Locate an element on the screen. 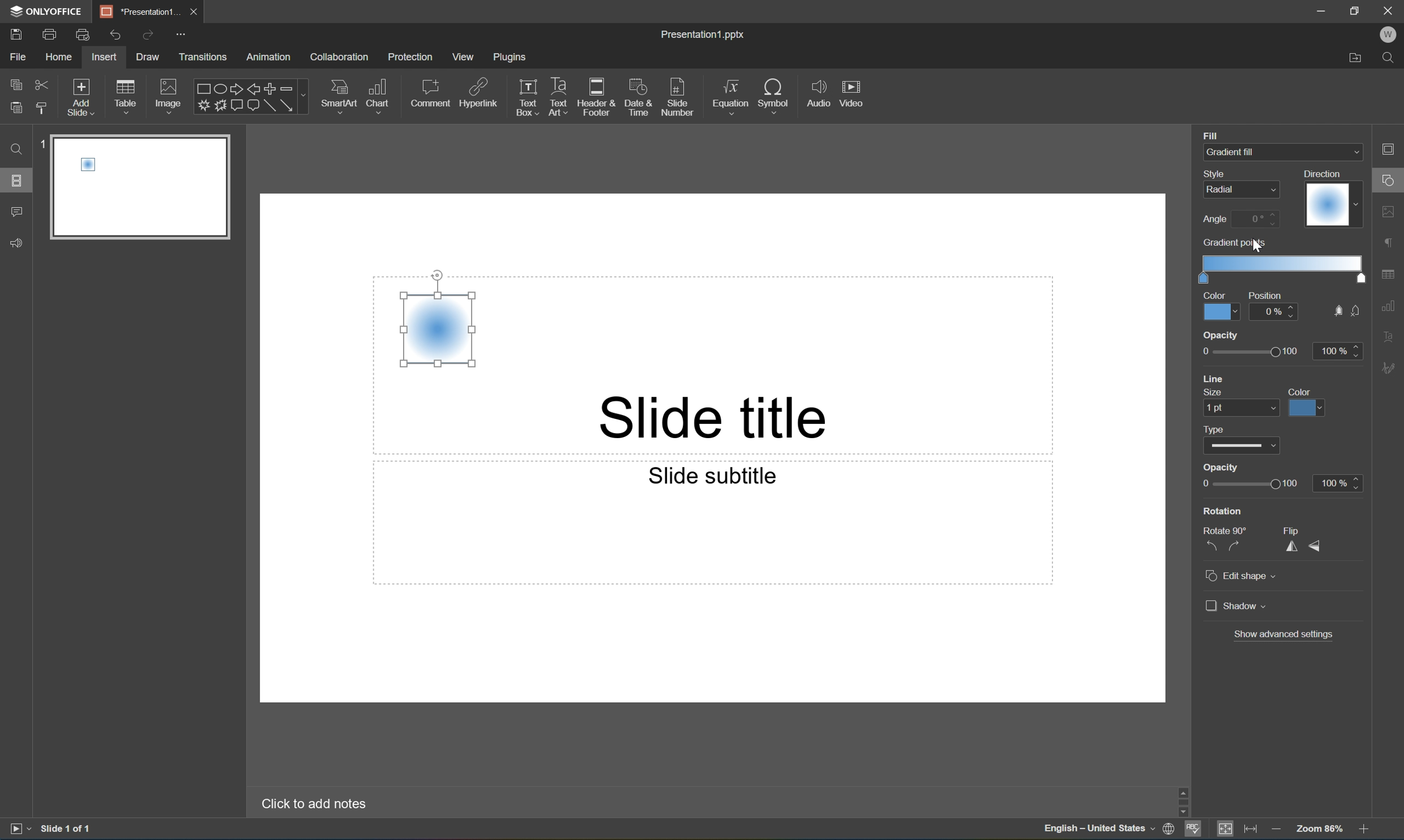 Image resolution: width=1404 pixels, height=840 pixels. Save is located at coordinates (15, 33).